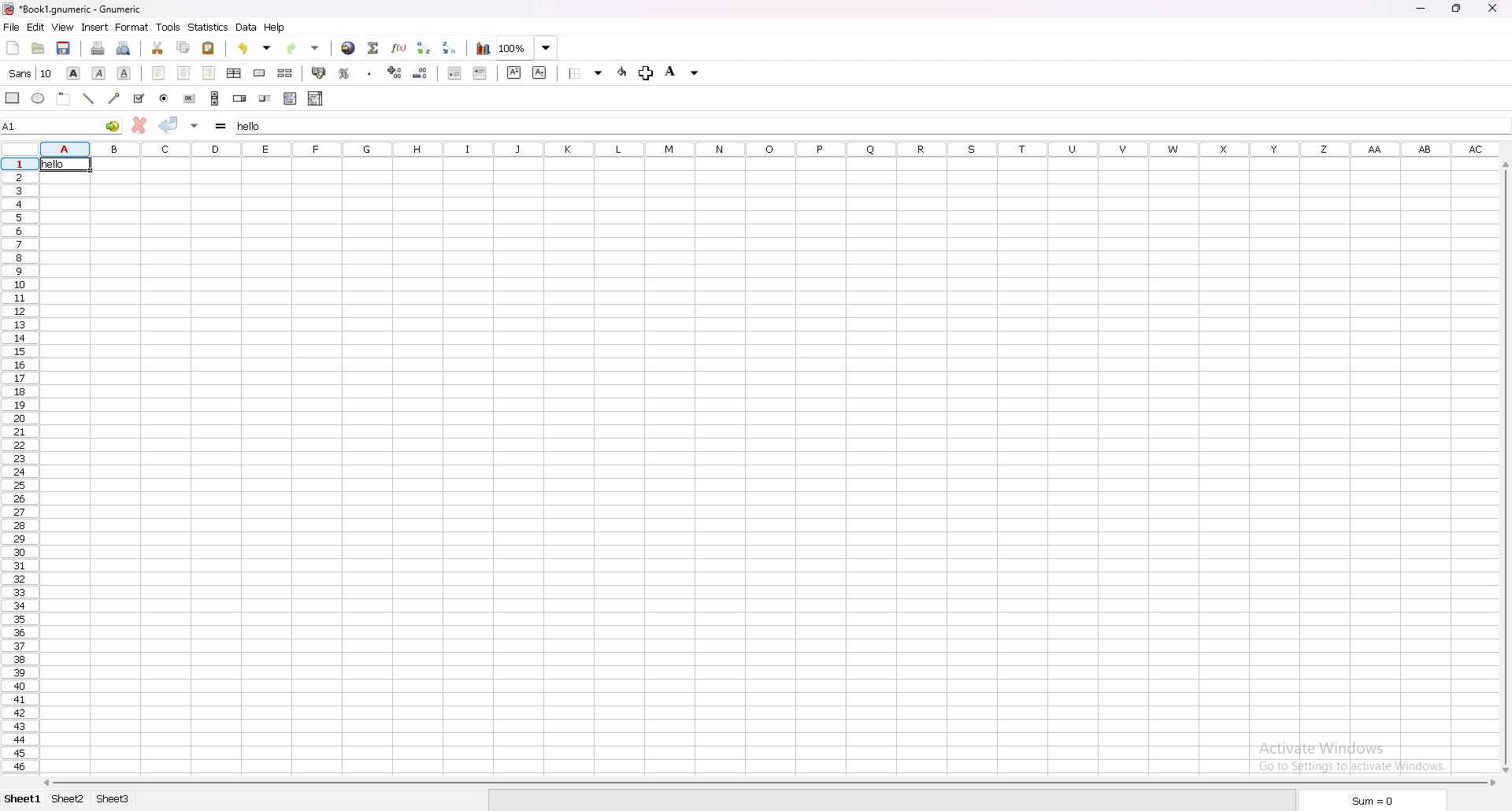 The width and height of the screenshot is (1512, 811). Describe the element at coordinates (24, 800) in the screenshot. I see `sheet 1` at that location.